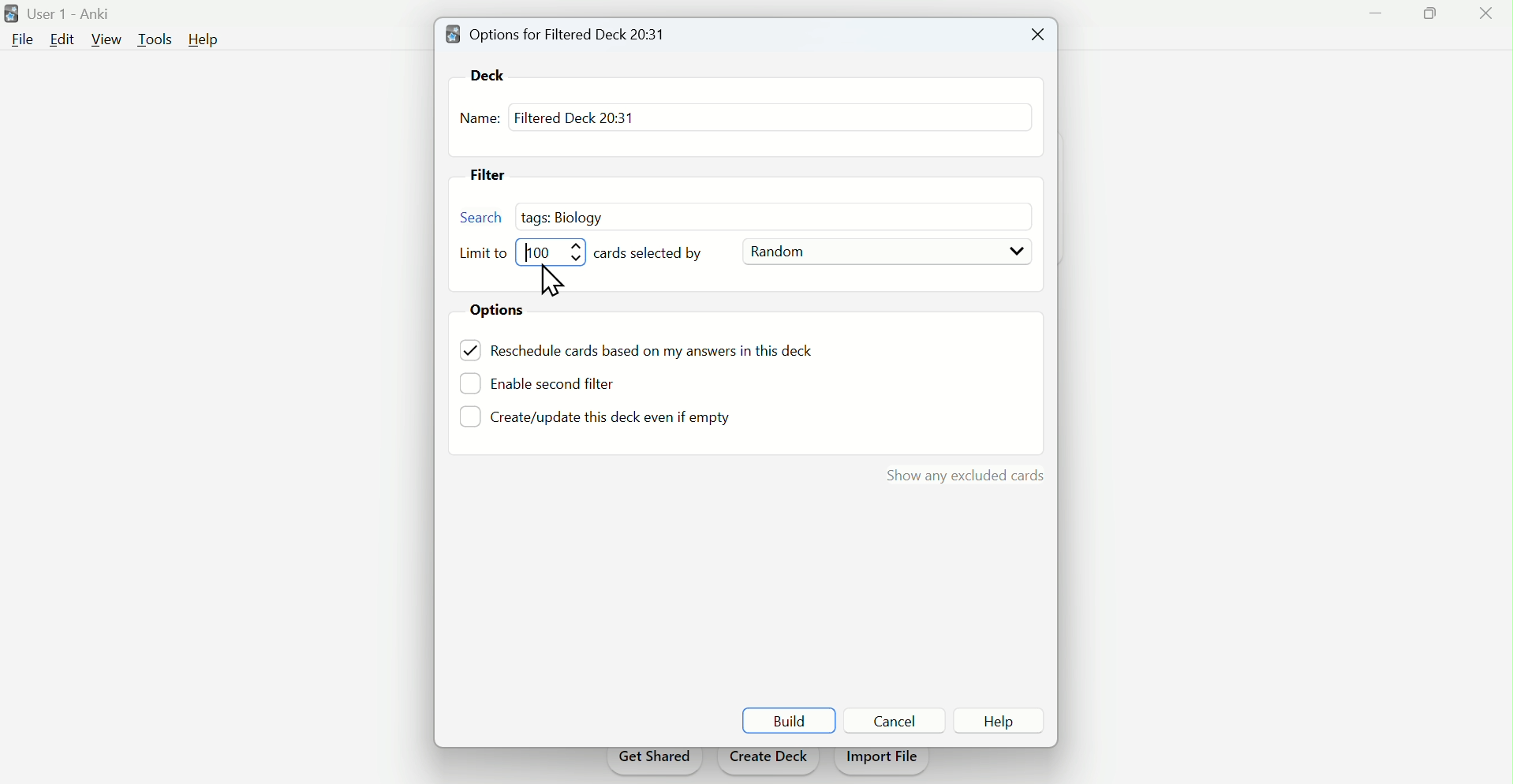 The image size is (1513, 784). I want to click on Edit, so click(61, 39).